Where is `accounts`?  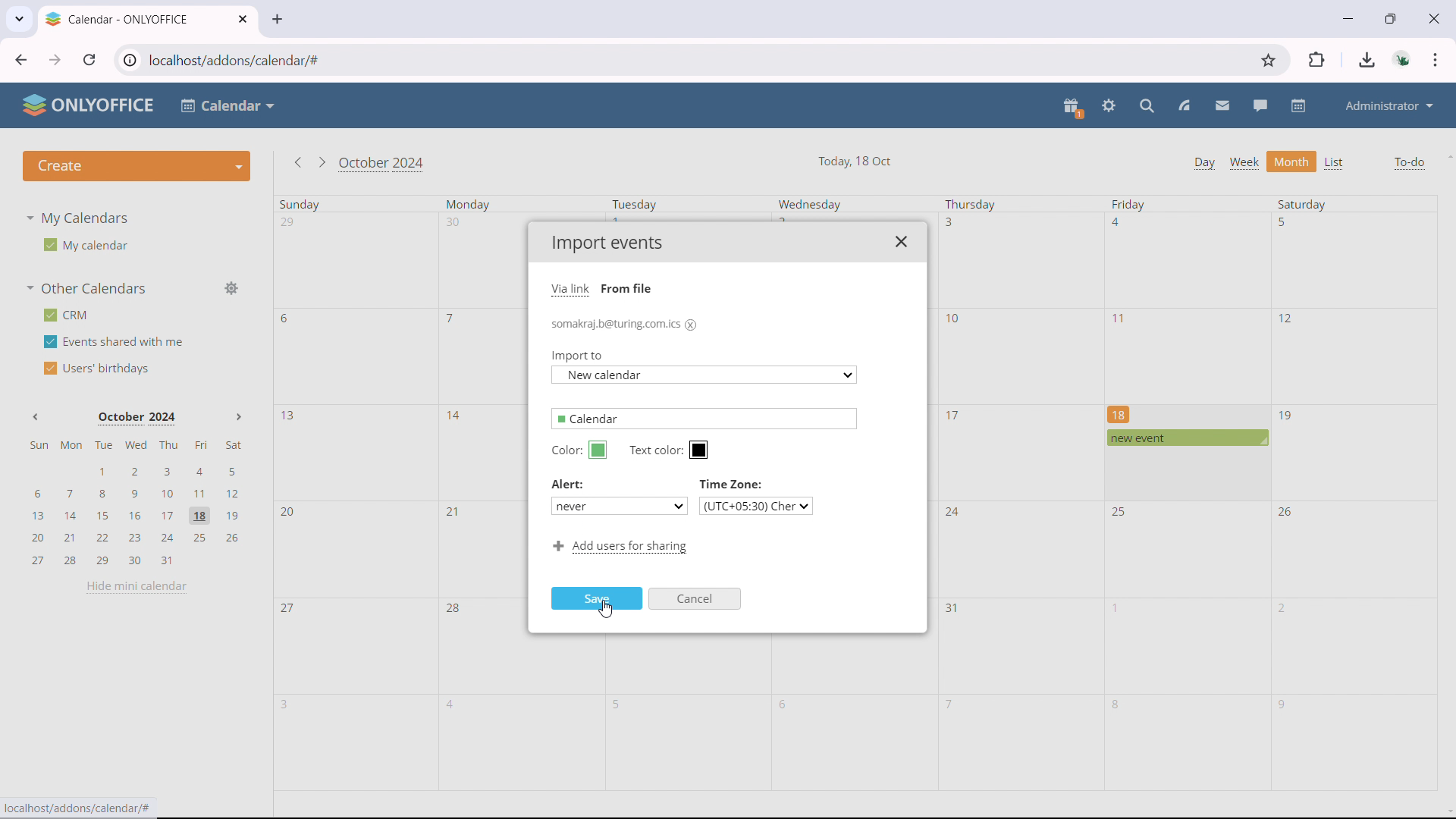
accounts is located at coordinates (1404, 59).